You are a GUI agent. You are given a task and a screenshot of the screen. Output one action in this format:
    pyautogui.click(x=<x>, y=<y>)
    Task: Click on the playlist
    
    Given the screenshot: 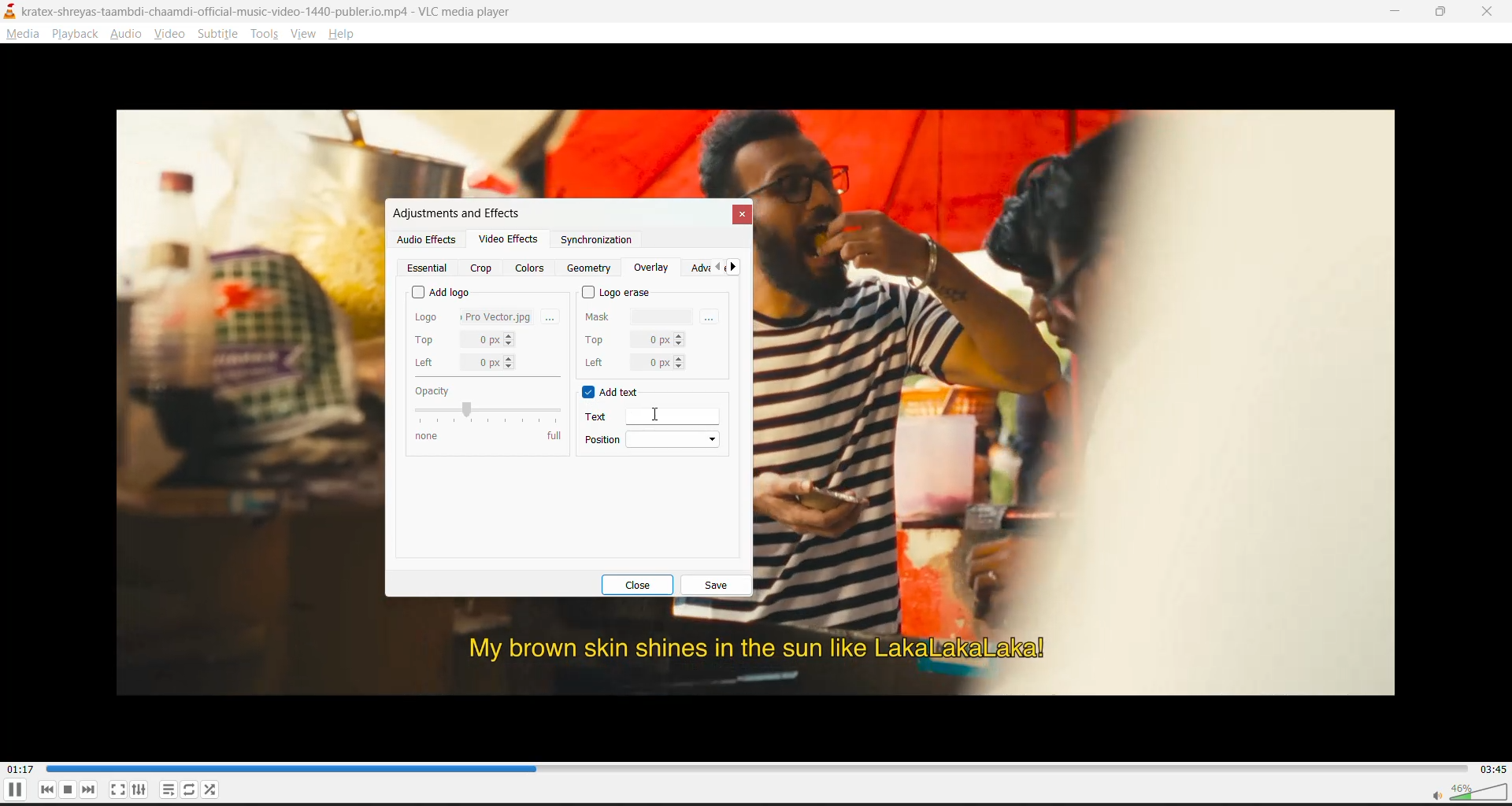 What is the action you would take?
    pyautogui.click(x=166, y=790)
    